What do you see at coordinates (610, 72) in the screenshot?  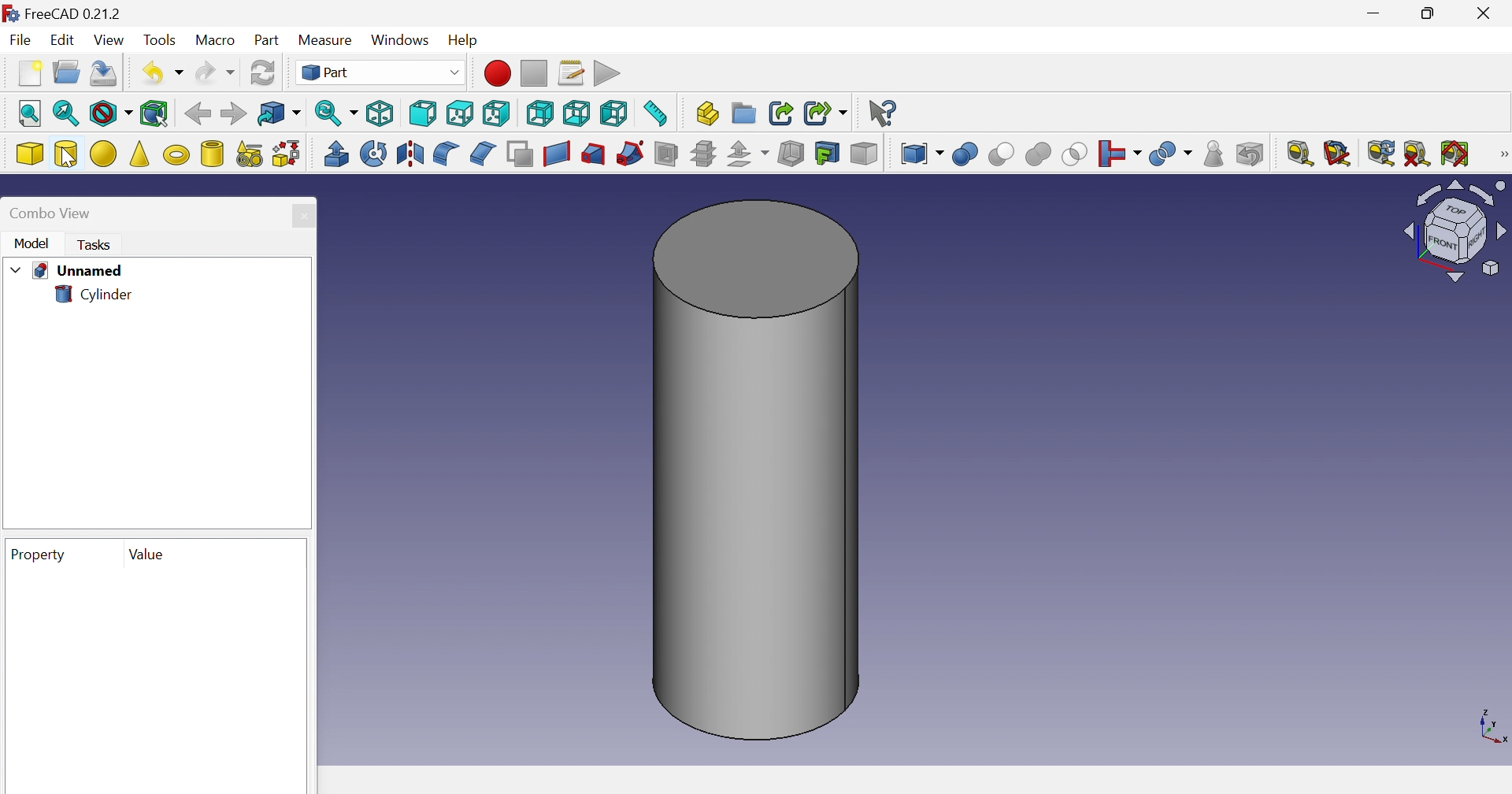 I see `Execute macro` at bounding box center [610, 72].